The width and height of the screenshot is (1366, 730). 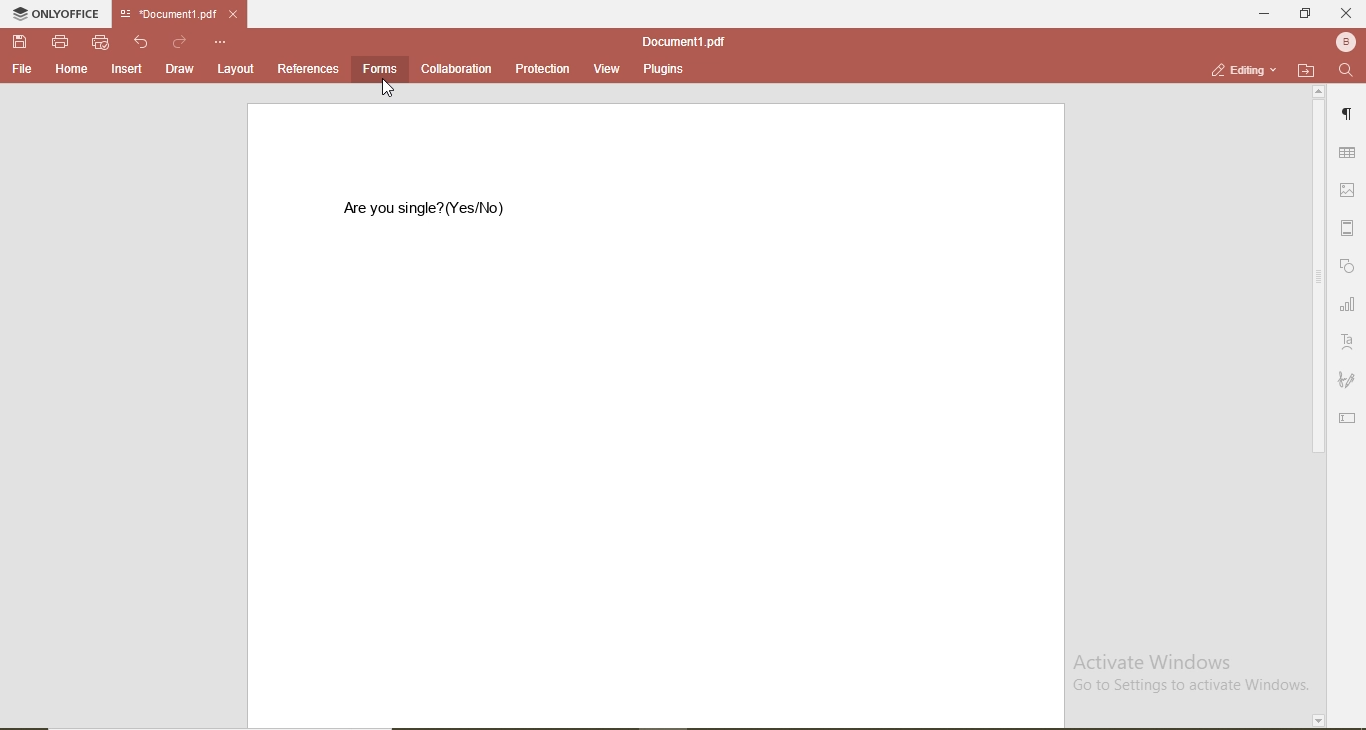 What do you see at coordinates (127, 71) in the screenshot?
I see `insert` at bounding box center [127, 71].